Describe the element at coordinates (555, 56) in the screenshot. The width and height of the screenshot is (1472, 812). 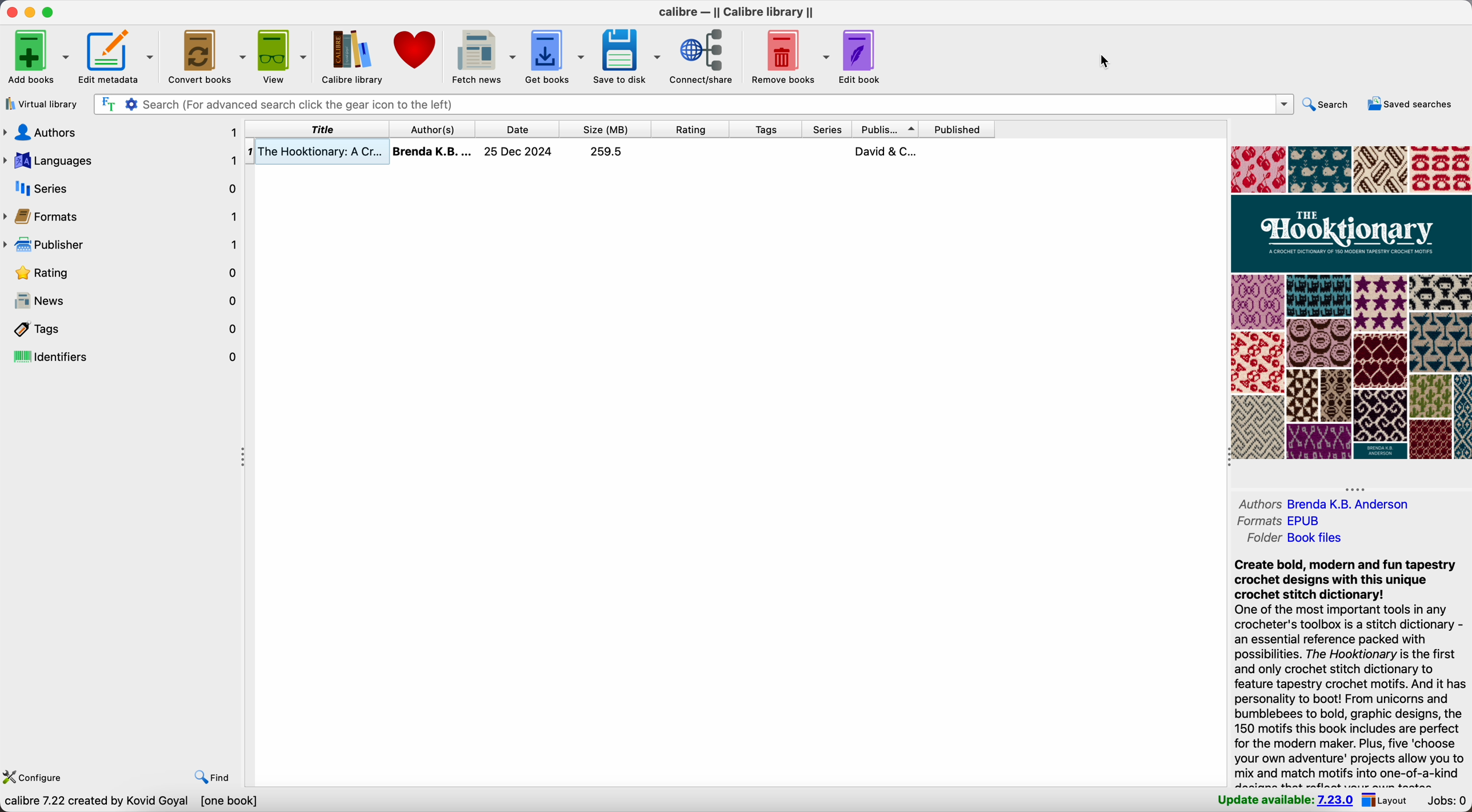
I see `get books` at that location.